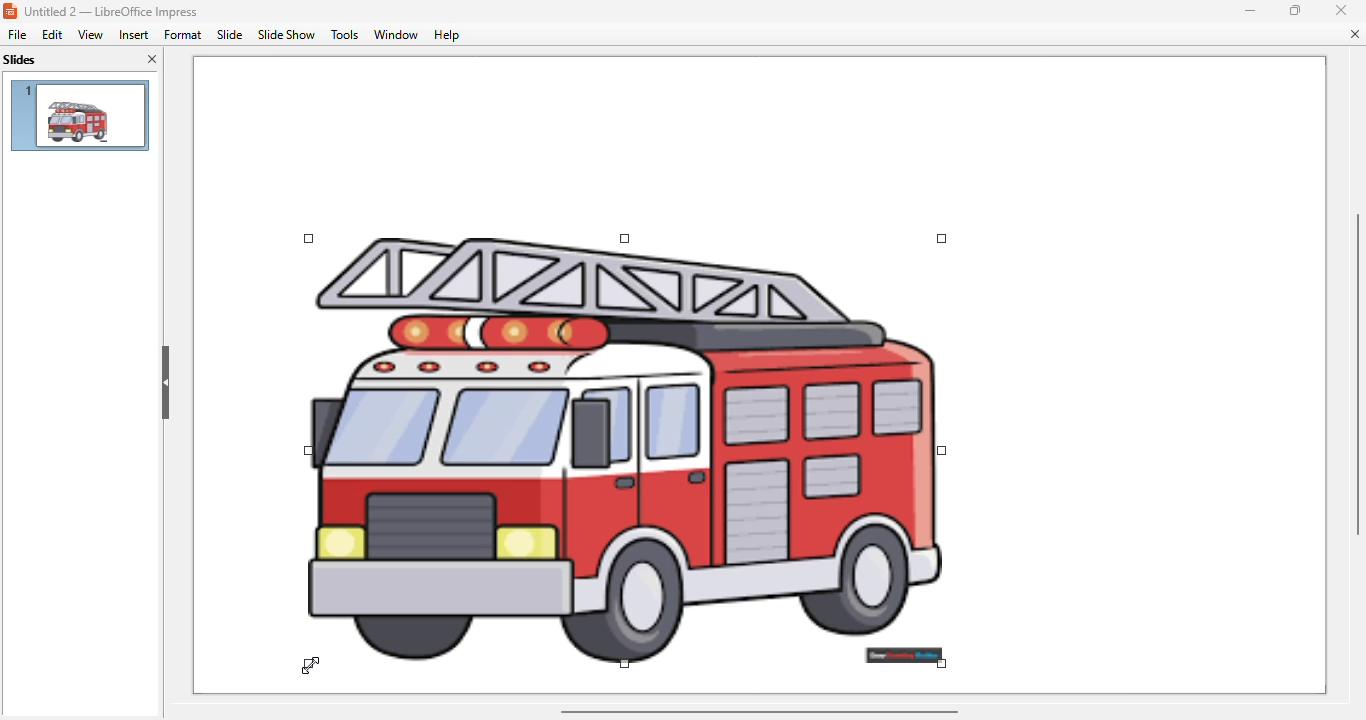 The image size is (1366, 720). Describe the element at coordinates (759, 712) in the screenshot. I see `horizontal scroll bar` at that location.